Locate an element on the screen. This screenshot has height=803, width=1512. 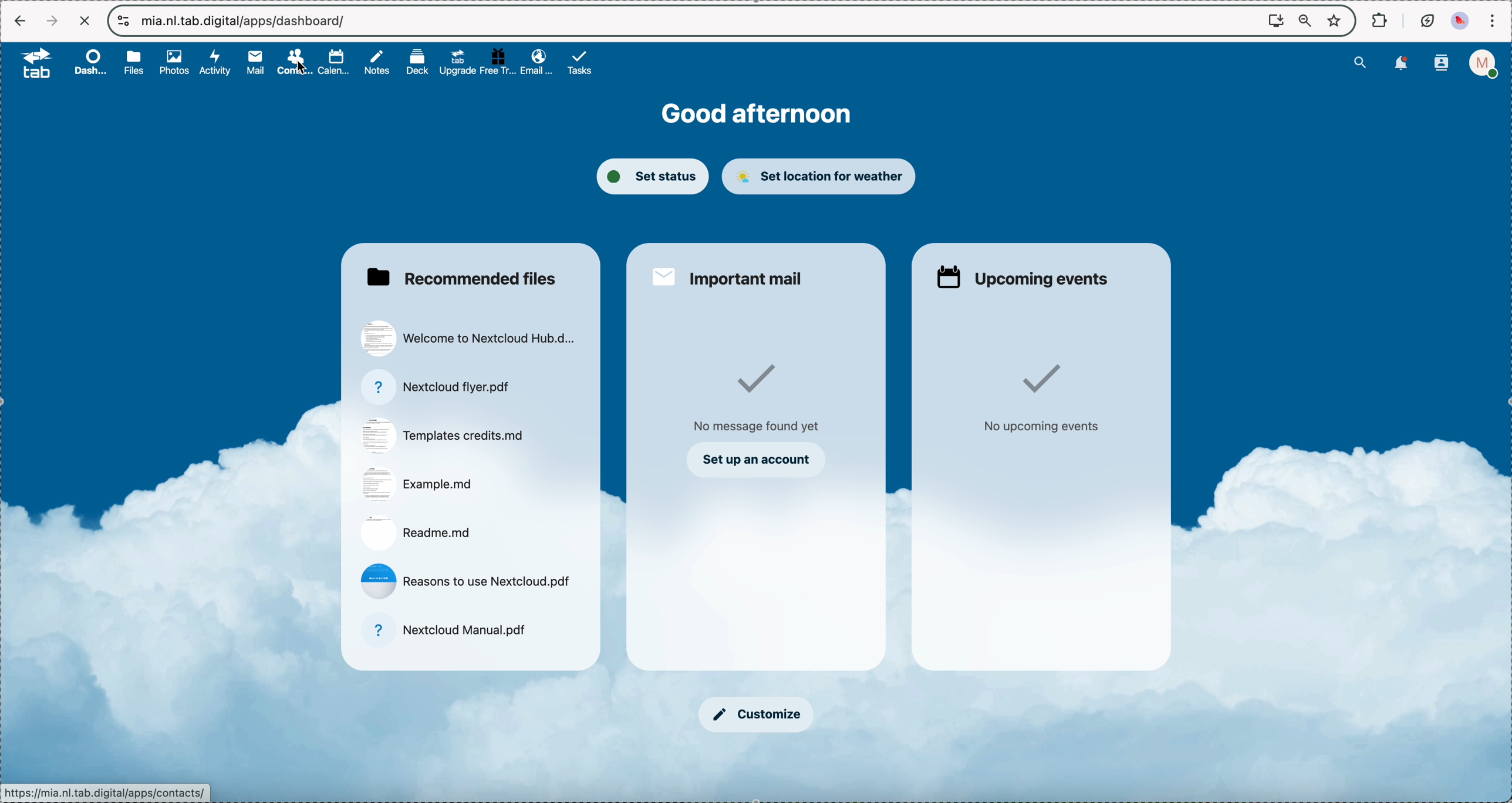
logo is located at coordinates (29, 63).